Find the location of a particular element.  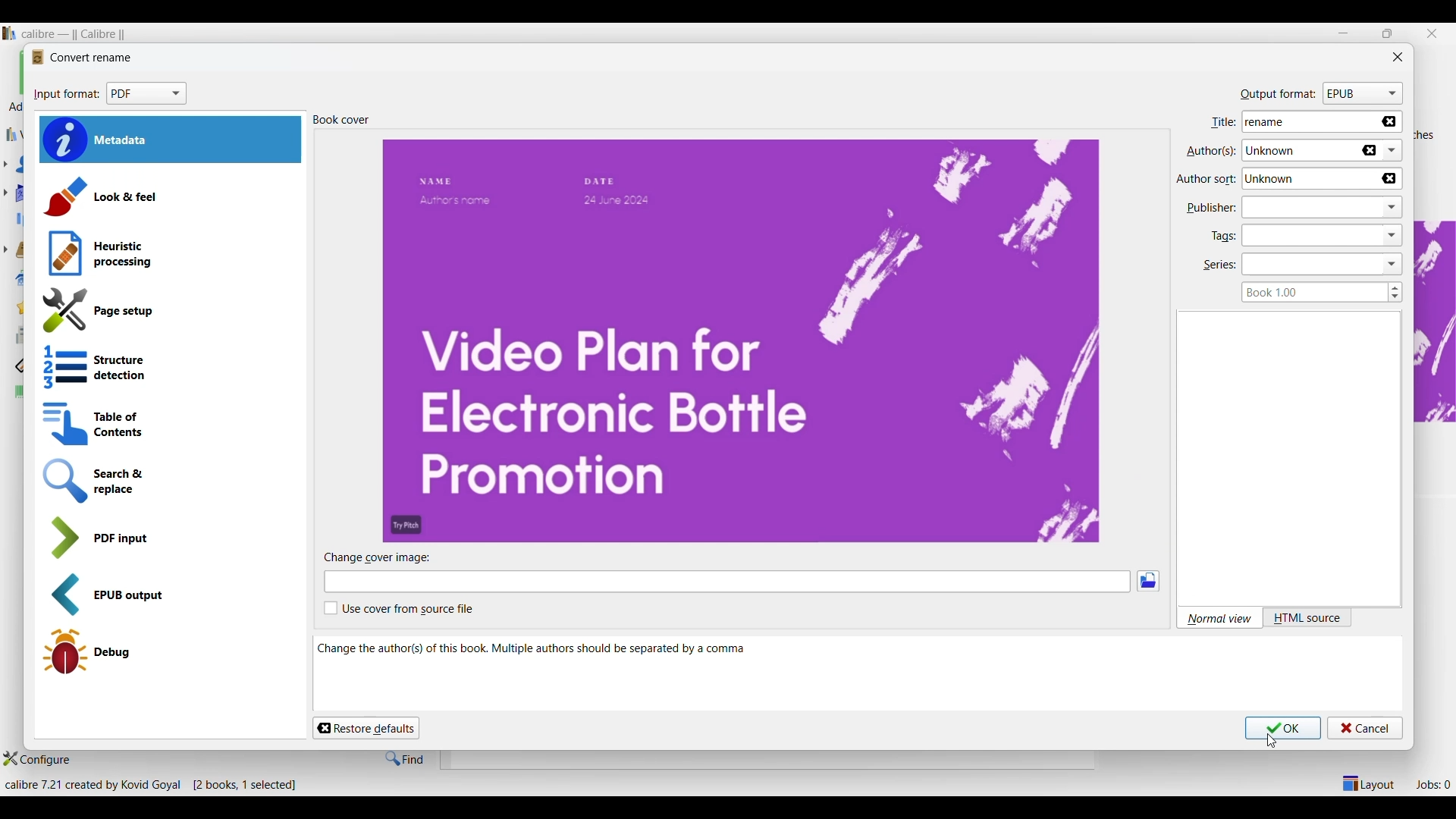

Minimize is located at coordinates (1343, 33).